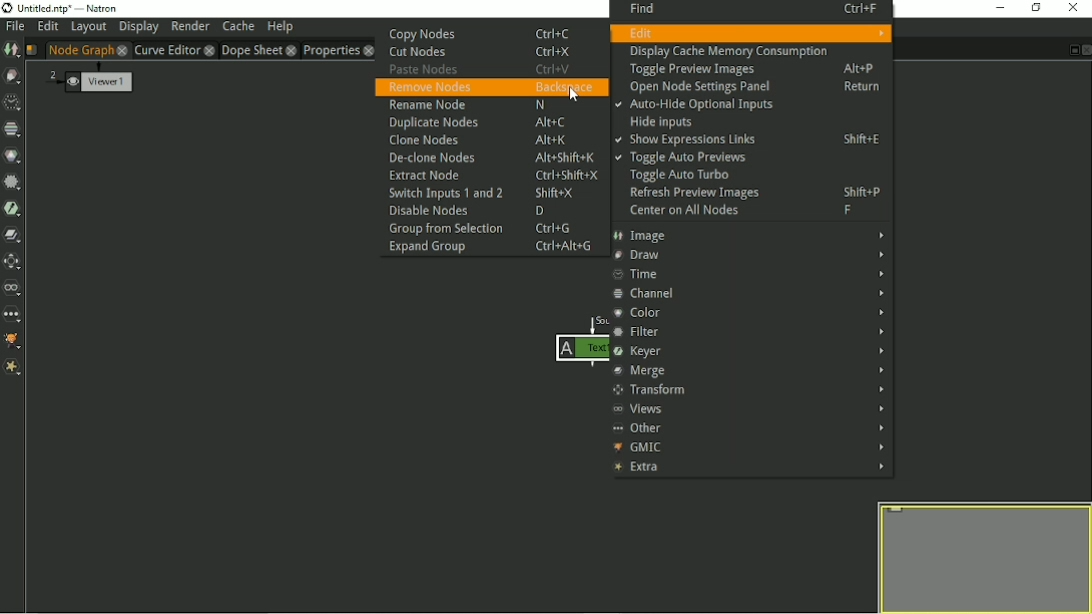 Image resolution: width=1092 pixels, height=614 pixels. I want to click on Transform, so click(14, 262).